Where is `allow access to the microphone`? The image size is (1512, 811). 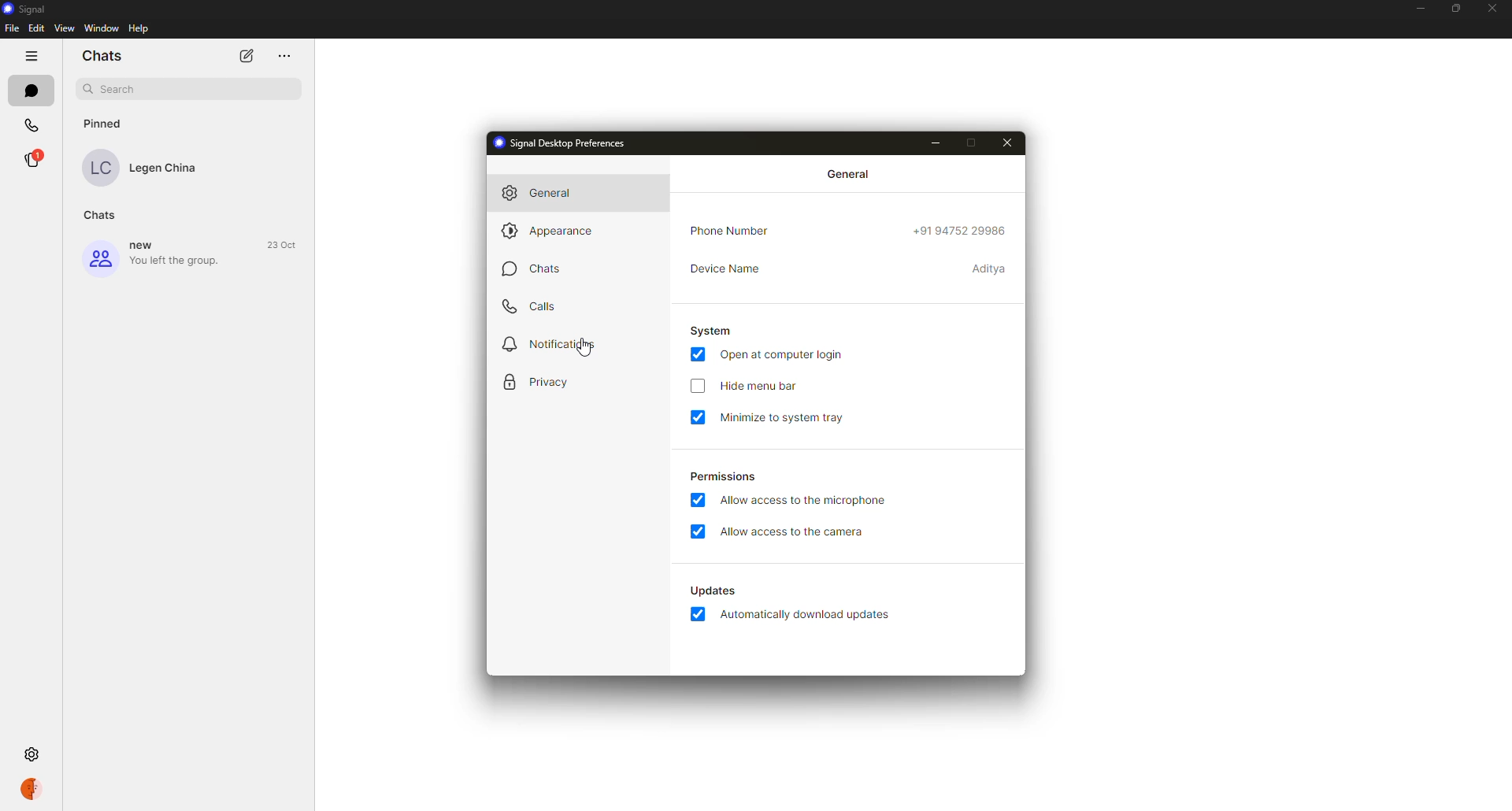
allow access to the microphone is located at coordinates (806, 501).